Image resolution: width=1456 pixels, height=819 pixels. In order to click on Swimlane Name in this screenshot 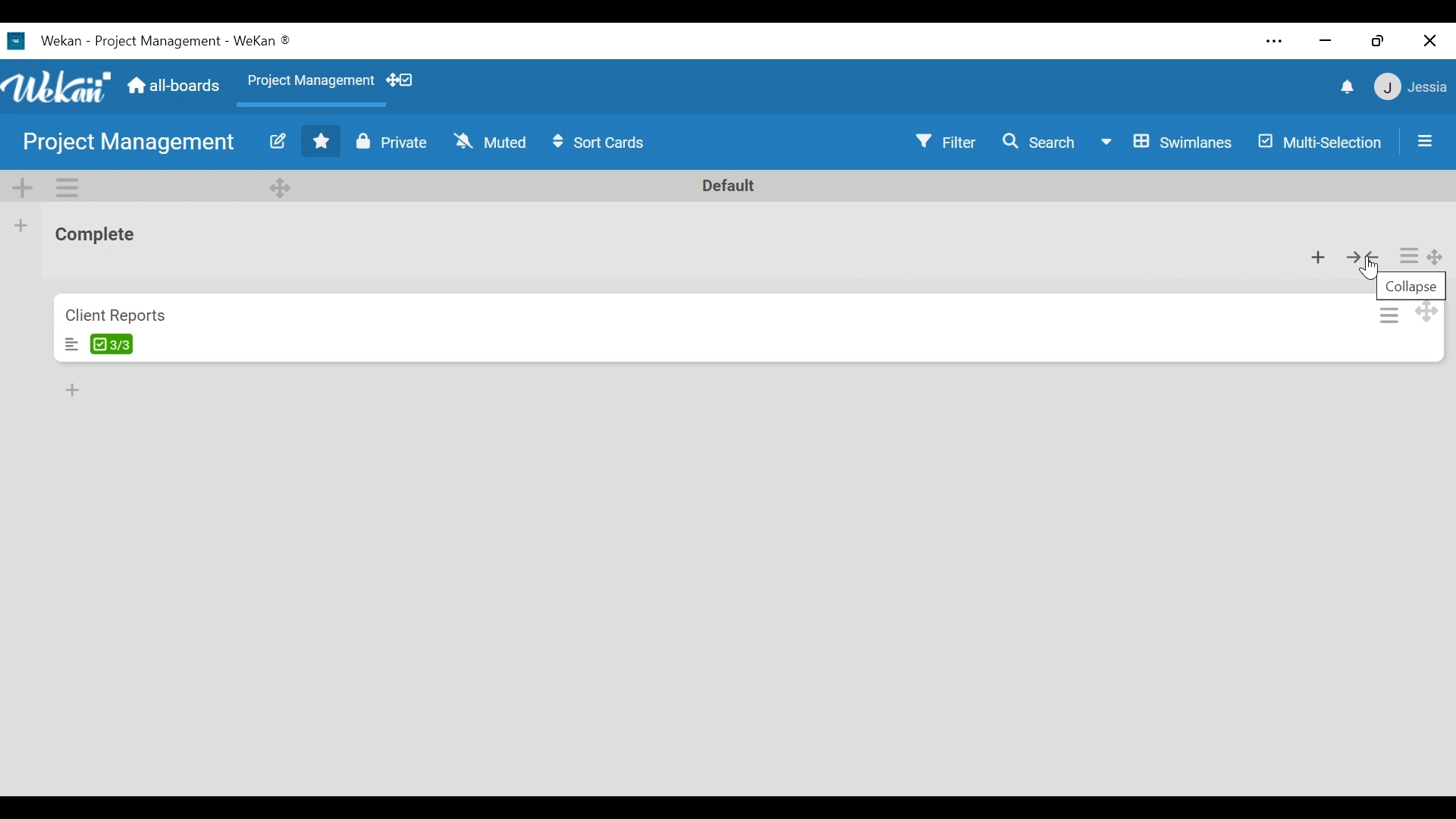, I will do `click(729, 185)`.